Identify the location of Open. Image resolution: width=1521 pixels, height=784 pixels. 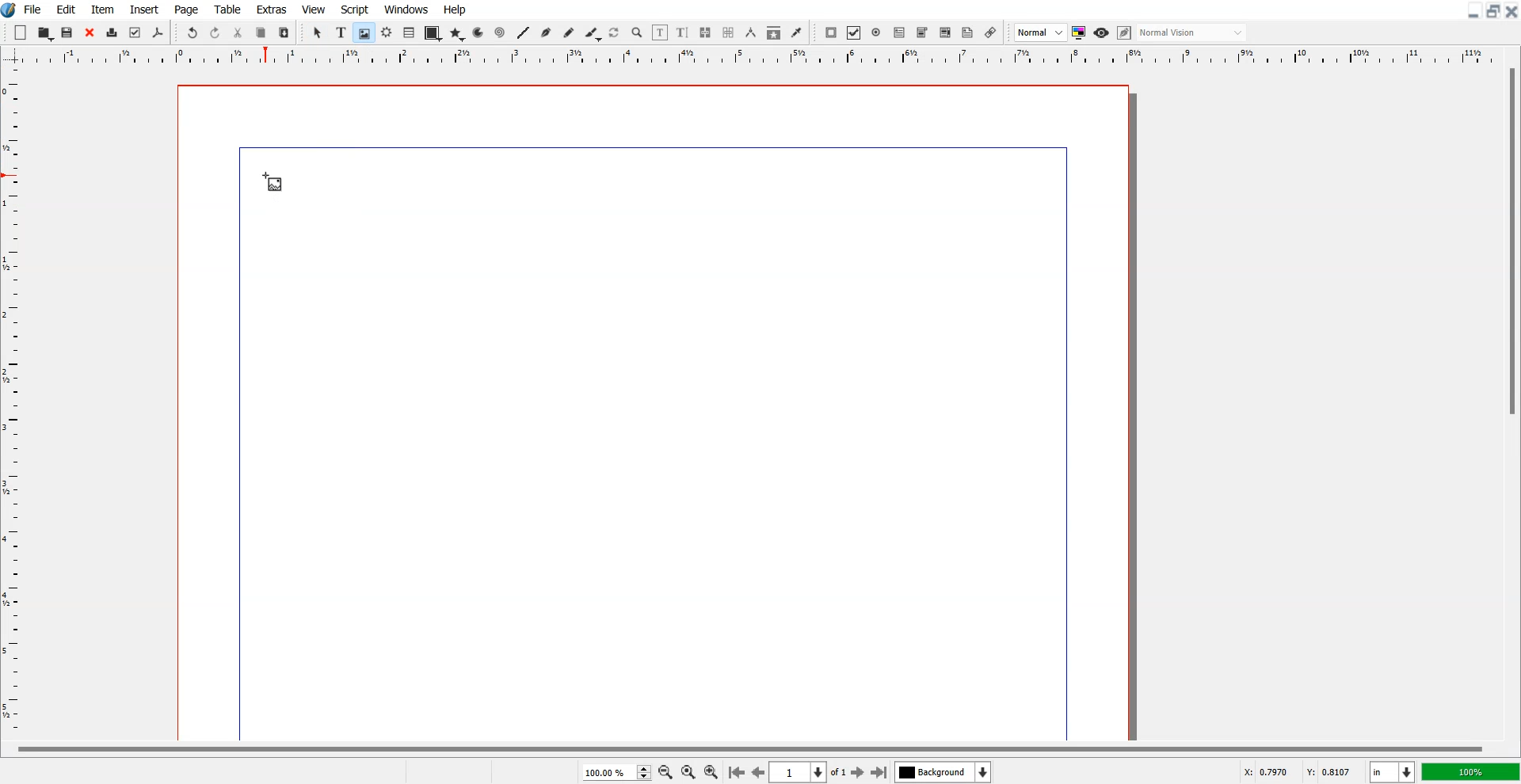
(45, 32).